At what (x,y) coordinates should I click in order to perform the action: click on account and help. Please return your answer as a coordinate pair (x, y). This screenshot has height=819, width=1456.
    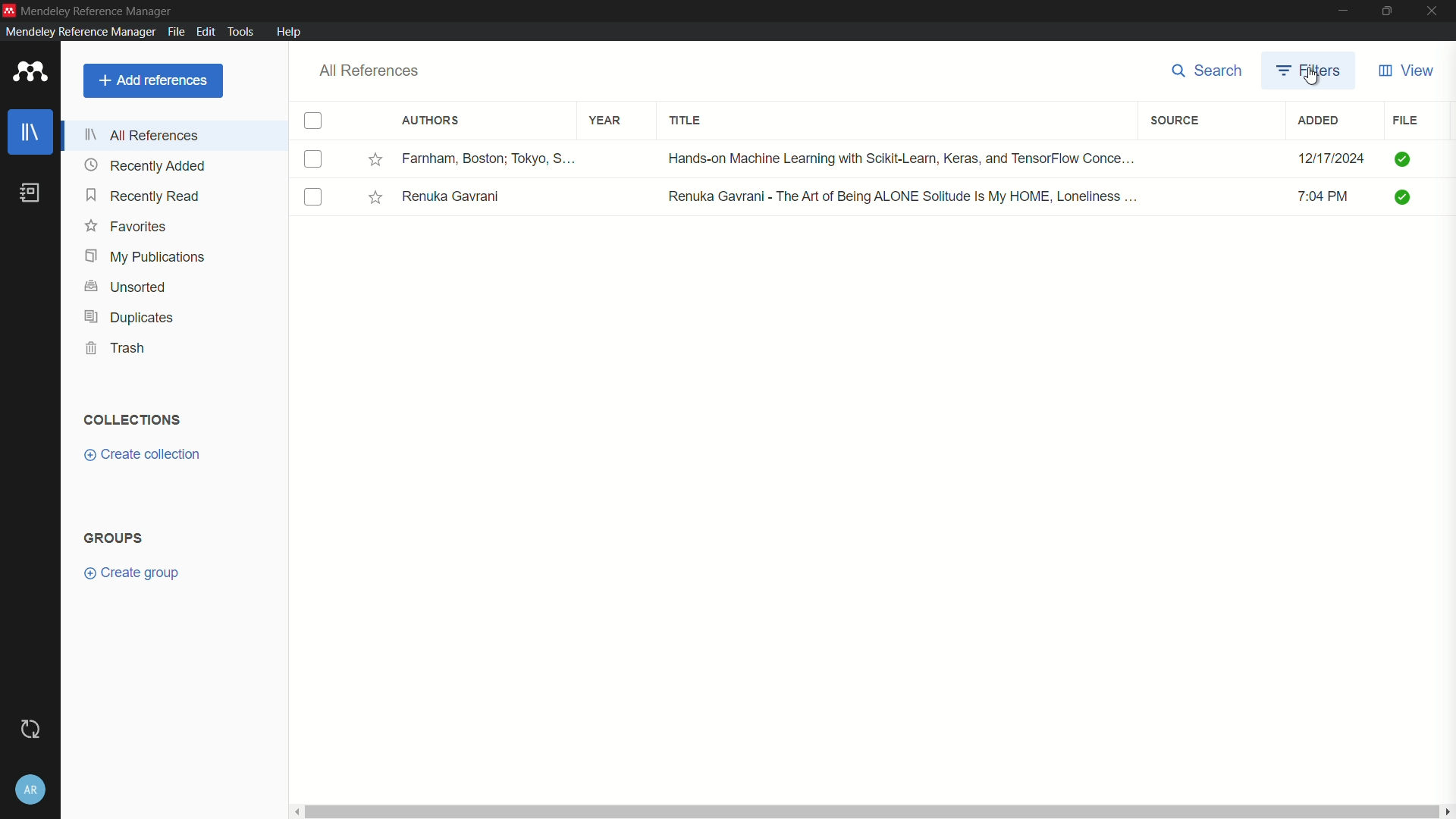
    Looking at the image, I should click on (30, 789).